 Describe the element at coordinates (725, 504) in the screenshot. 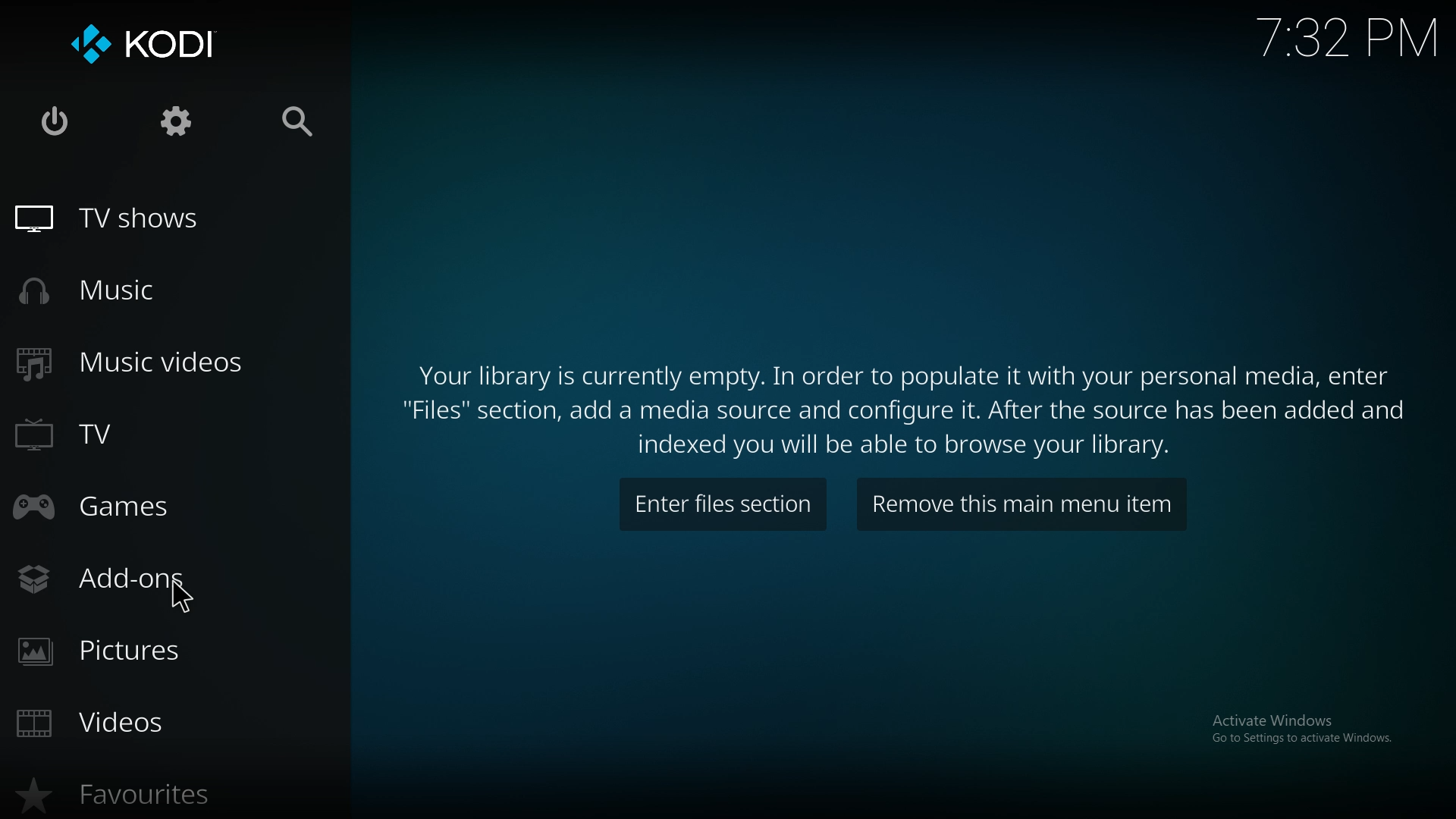

I see `enter files section` at that location.